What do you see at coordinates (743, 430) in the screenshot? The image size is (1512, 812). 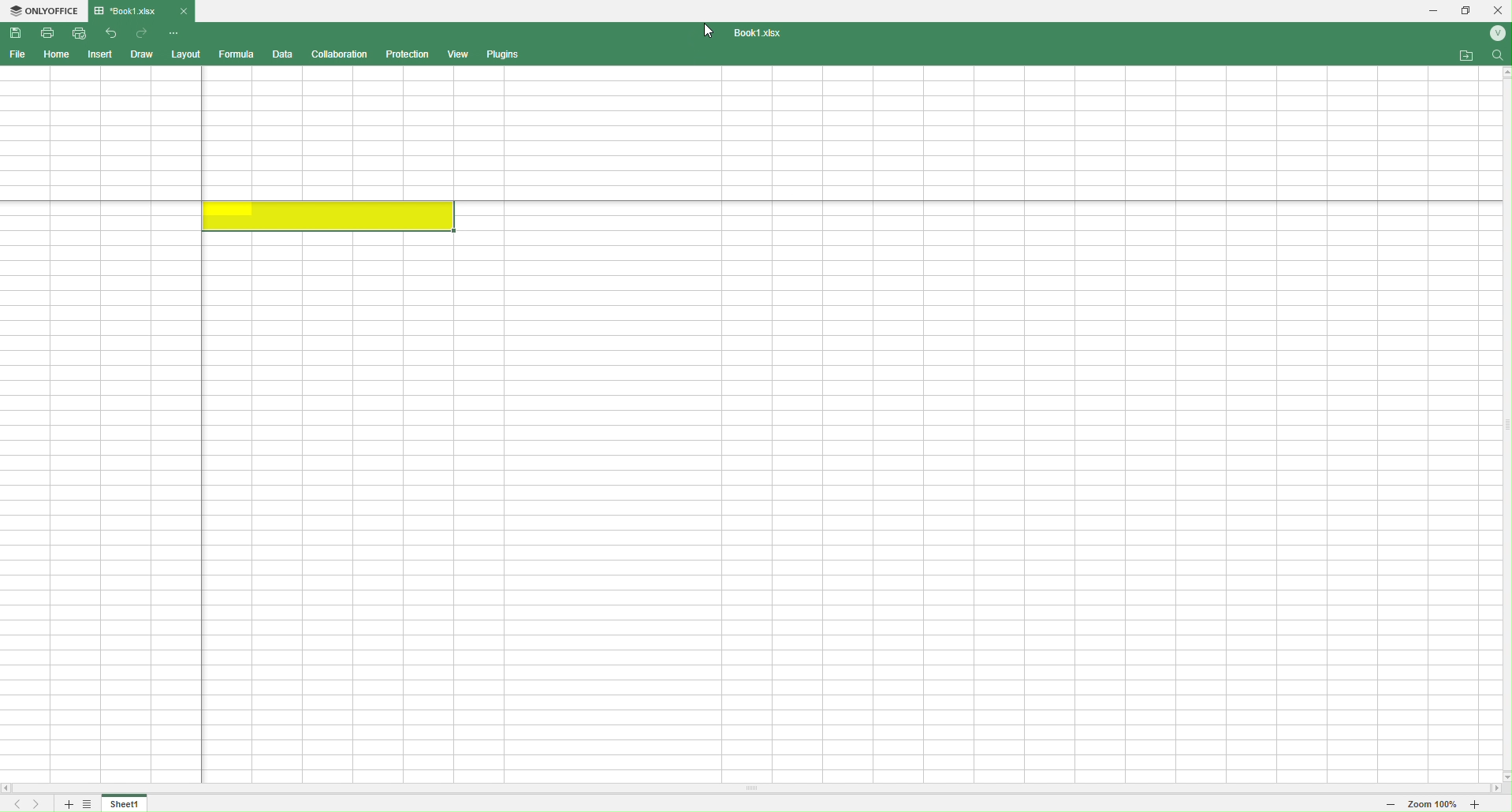 I see `Cells` at bounding box center [743, 430].